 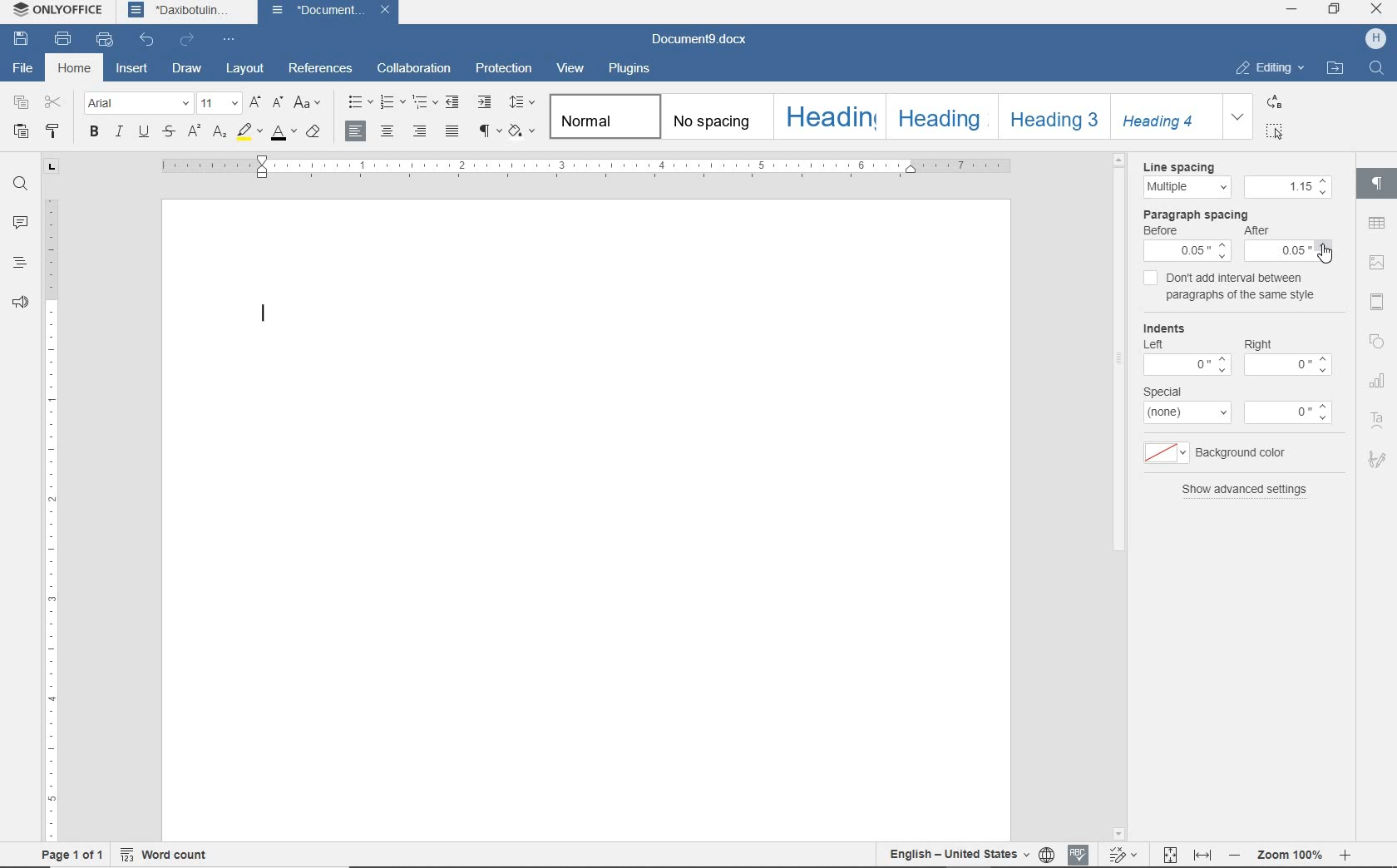 I want to click on Indents, so click(x=1163, y=325).